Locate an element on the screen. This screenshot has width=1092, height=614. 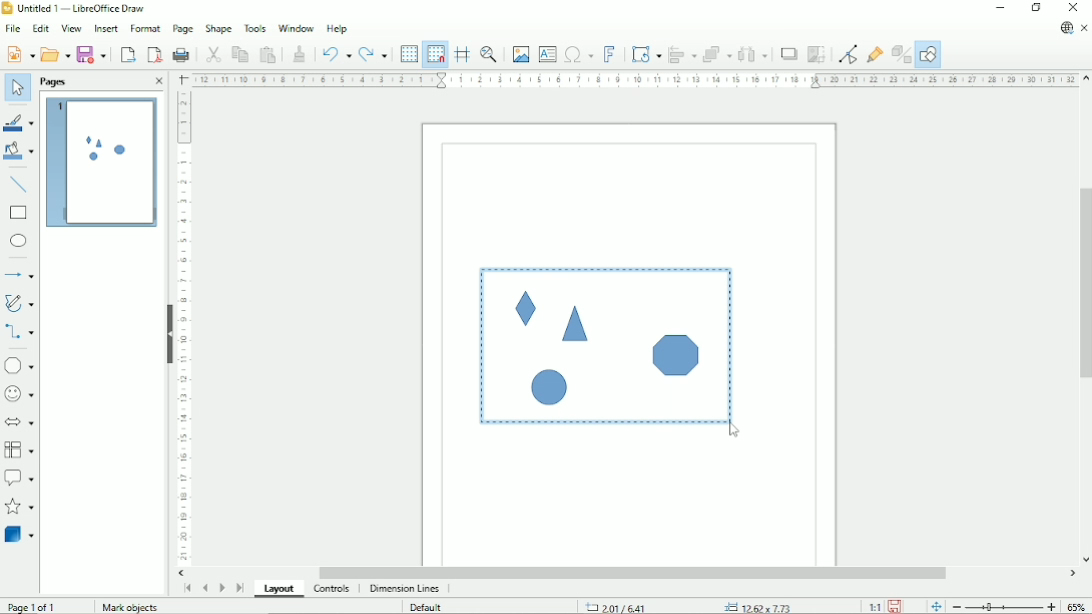
Curves and polygons is located at coordinates (20, 303).